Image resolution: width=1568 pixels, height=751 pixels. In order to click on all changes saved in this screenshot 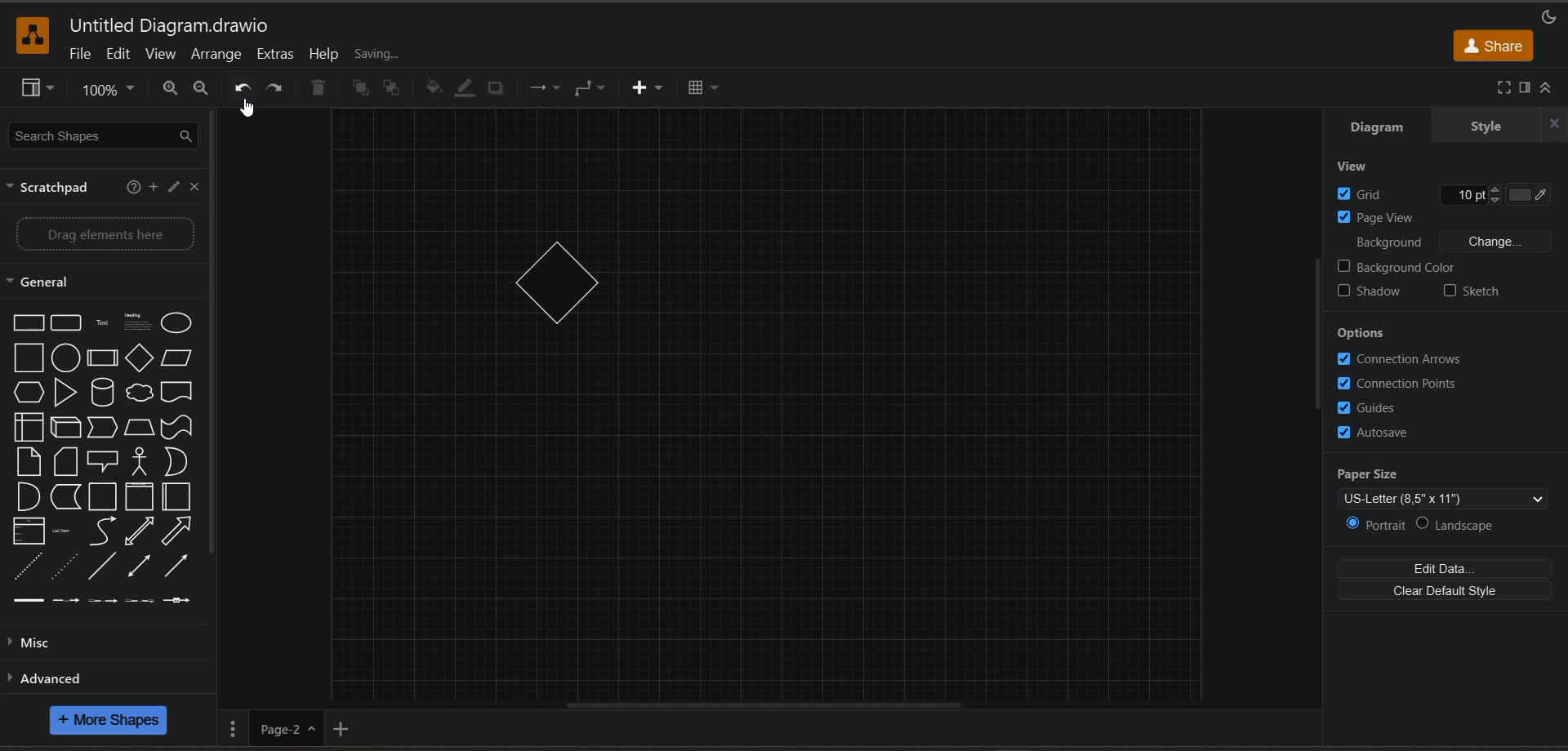, I will do `click(410, 57)`.